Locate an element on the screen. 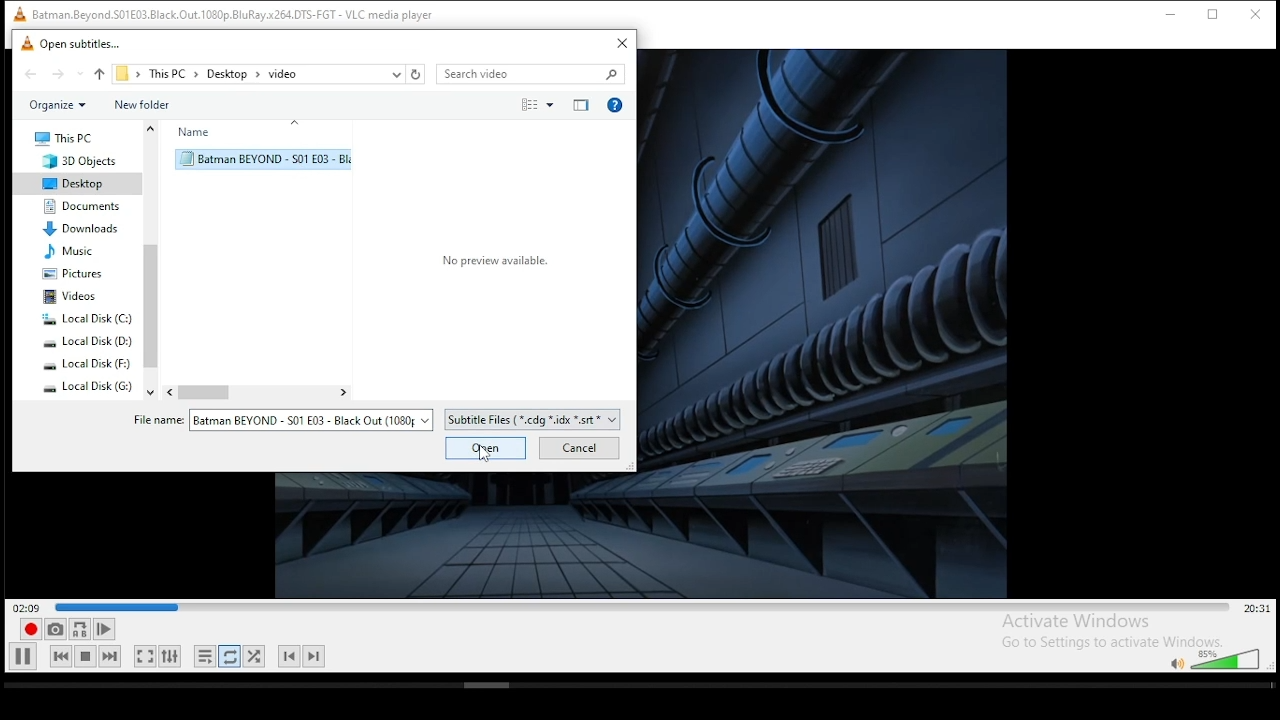  Select a file to preview. is located at coordinates (493, 260).